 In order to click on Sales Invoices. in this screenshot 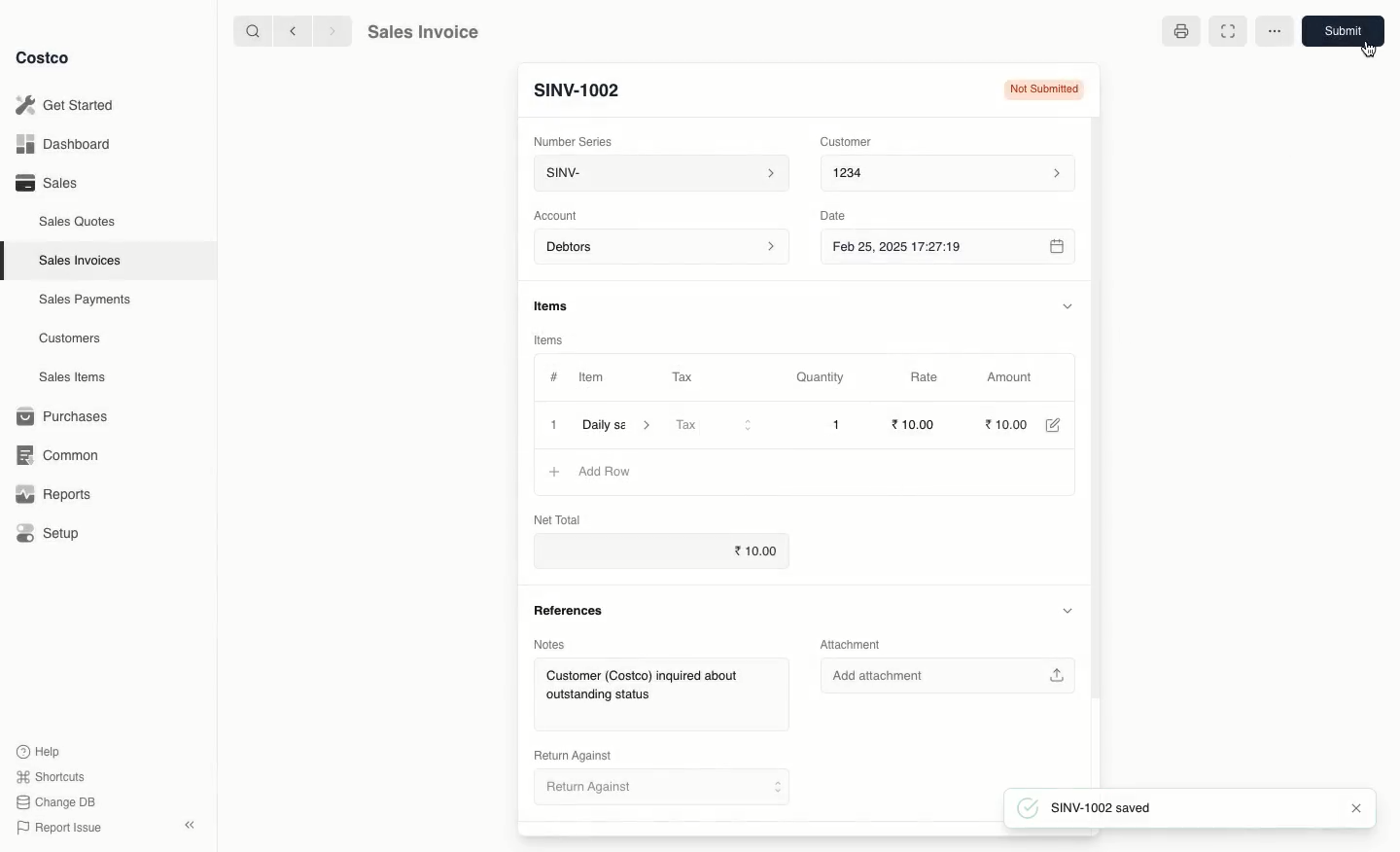, I will do `click(78, 262)`.